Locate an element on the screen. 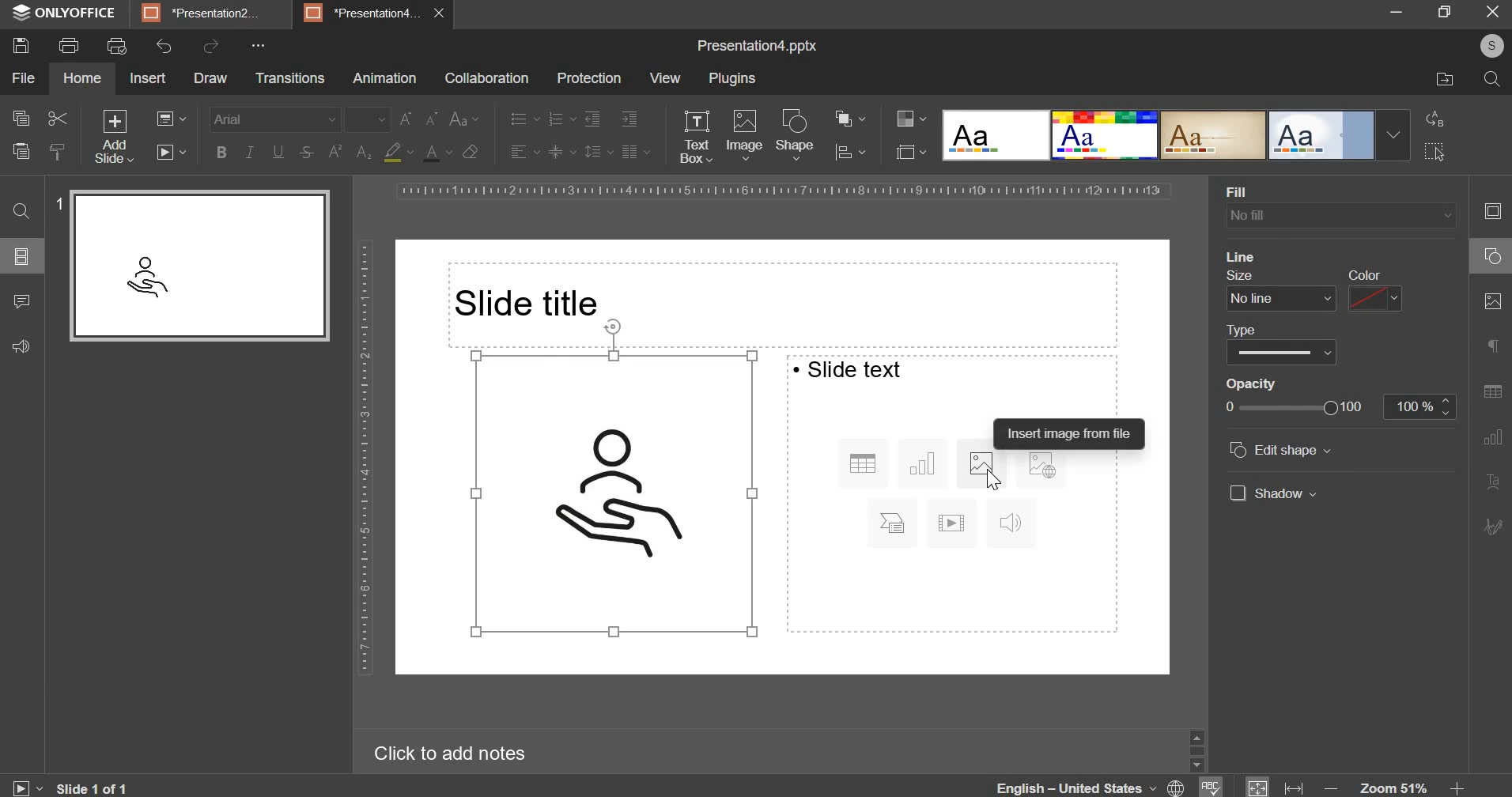 The height and width of the screenshot is (797, 1512). undo is located at coordinates (161, 47).